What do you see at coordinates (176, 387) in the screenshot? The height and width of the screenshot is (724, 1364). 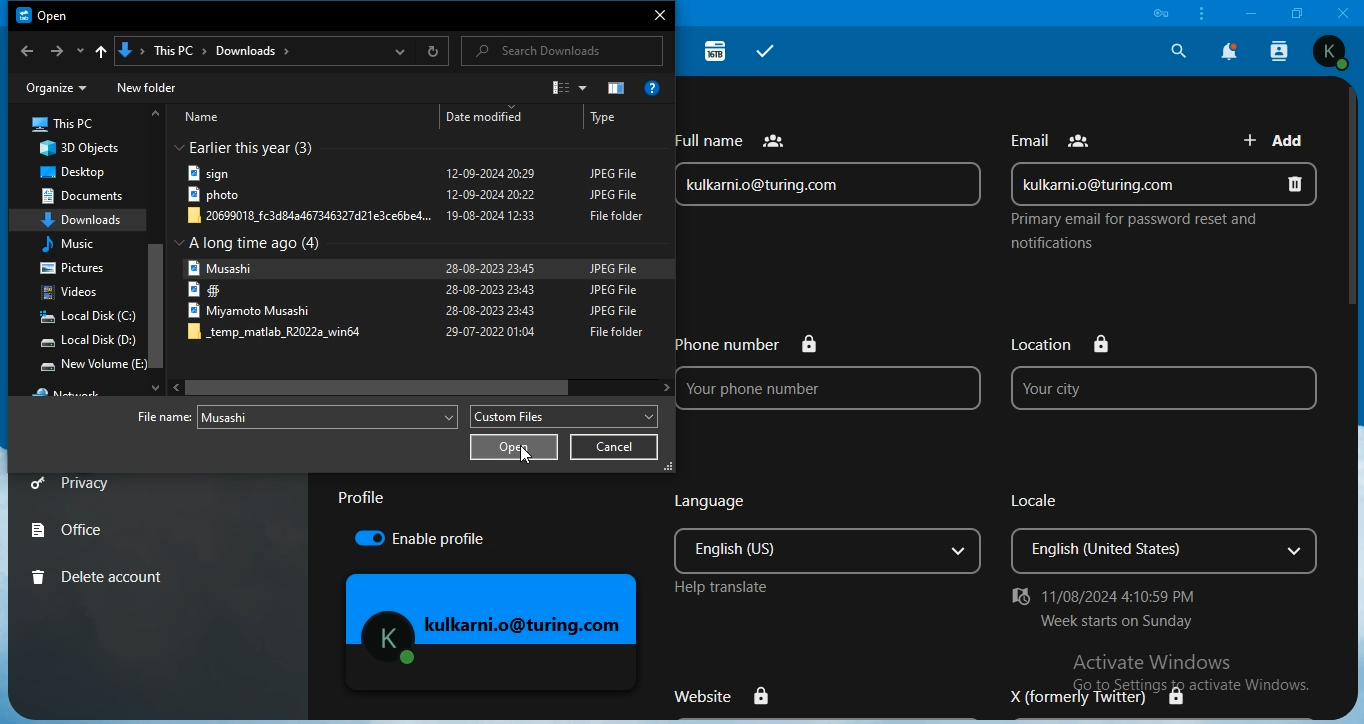 I see `Left` at bounding box center [176, 387].